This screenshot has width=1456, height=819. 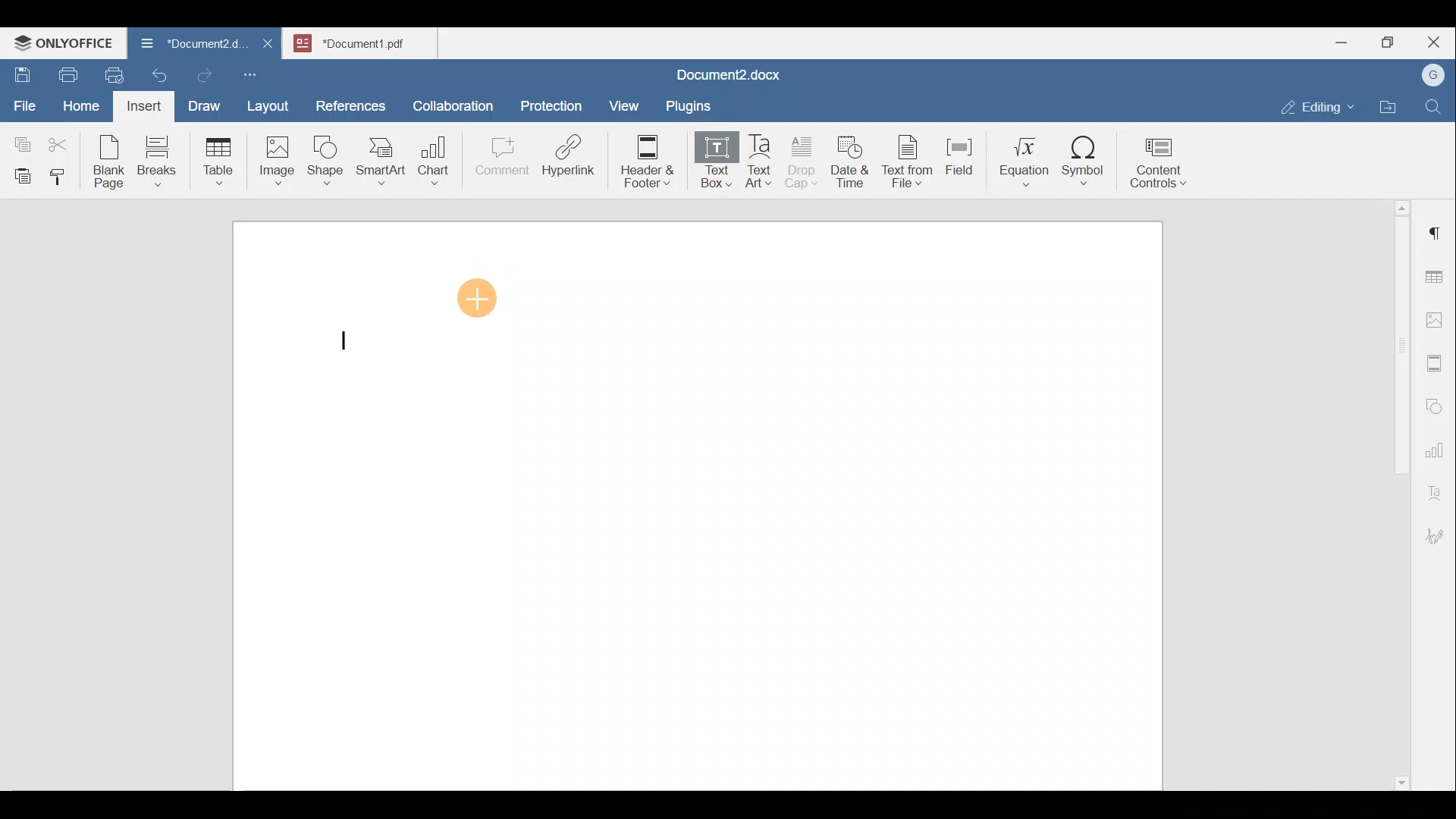 What do you see at coordinates (202, 102) in the screenshot?
I see `Draw` at bounding box center [202, 102].